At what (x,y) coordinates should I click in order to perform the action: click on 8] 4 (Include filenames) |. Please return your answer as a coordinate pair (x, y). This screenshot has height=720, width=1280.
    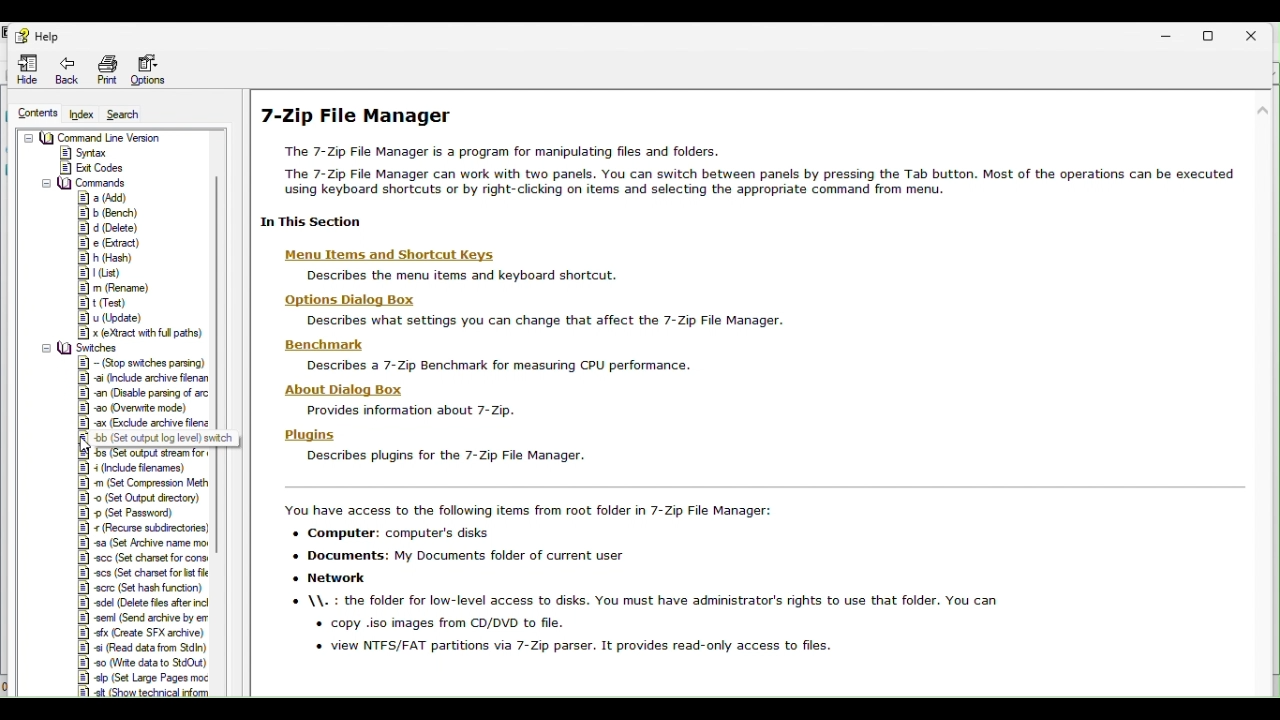
    Looking at the image, I should click on (146, 468).